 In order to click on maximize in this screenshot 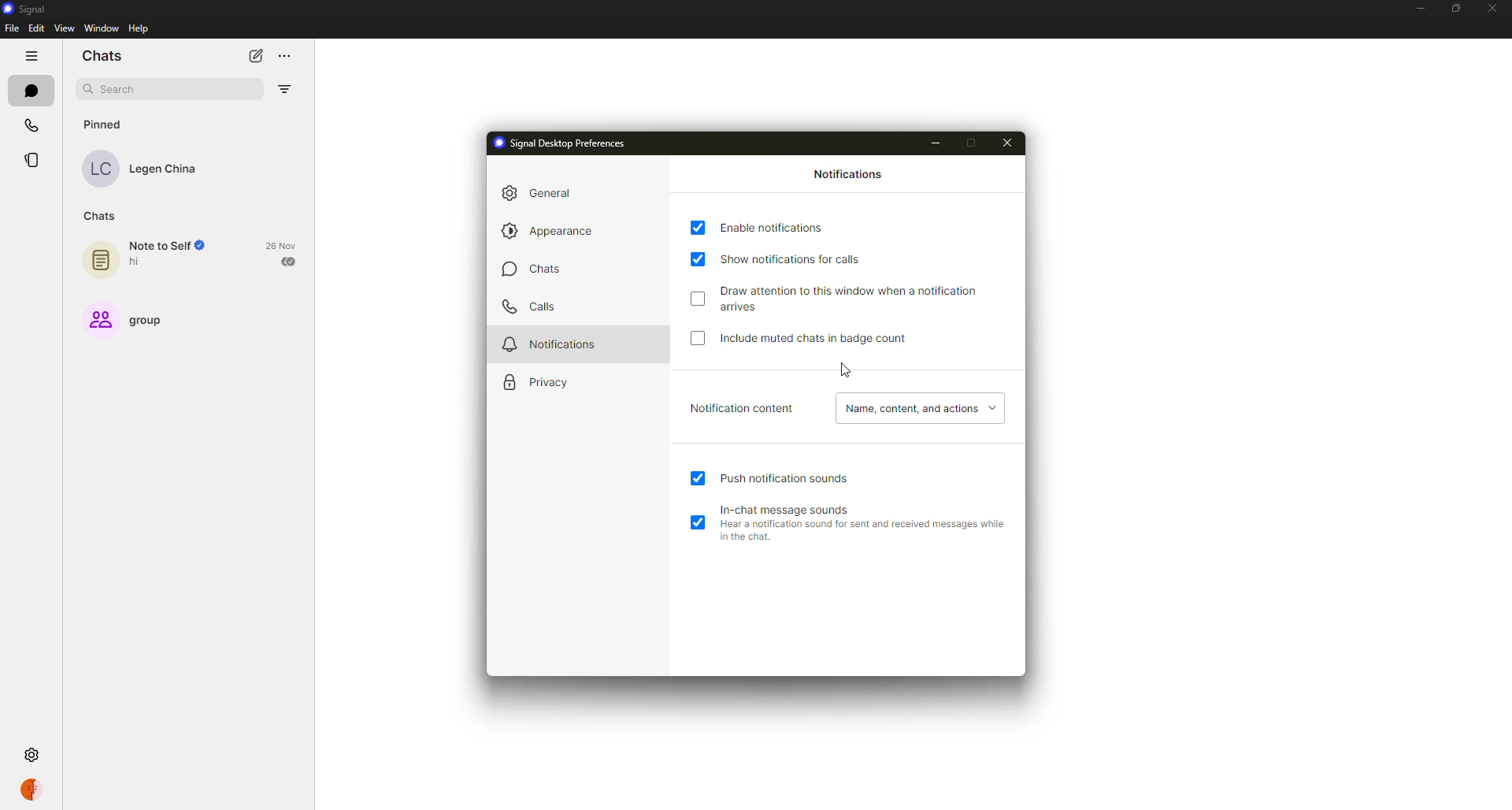, I will do `click(976, 139)`.